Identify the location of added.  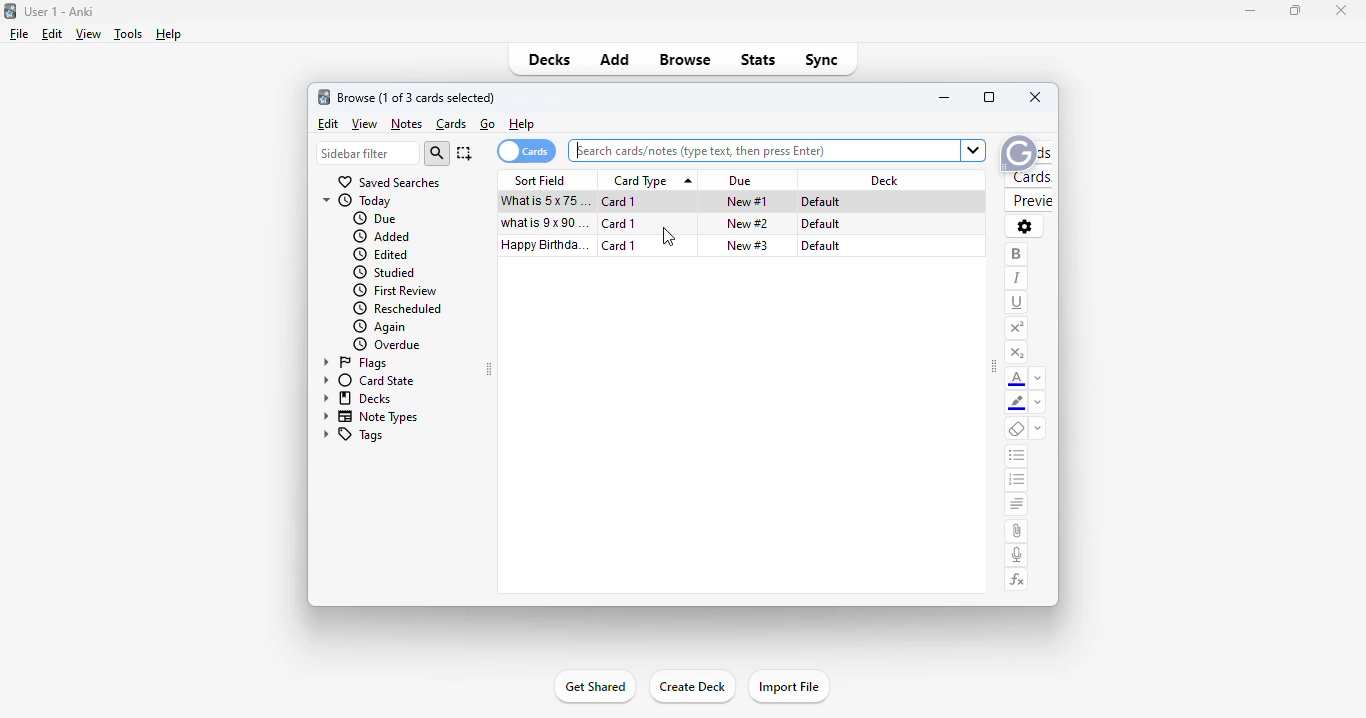
(382, 236).